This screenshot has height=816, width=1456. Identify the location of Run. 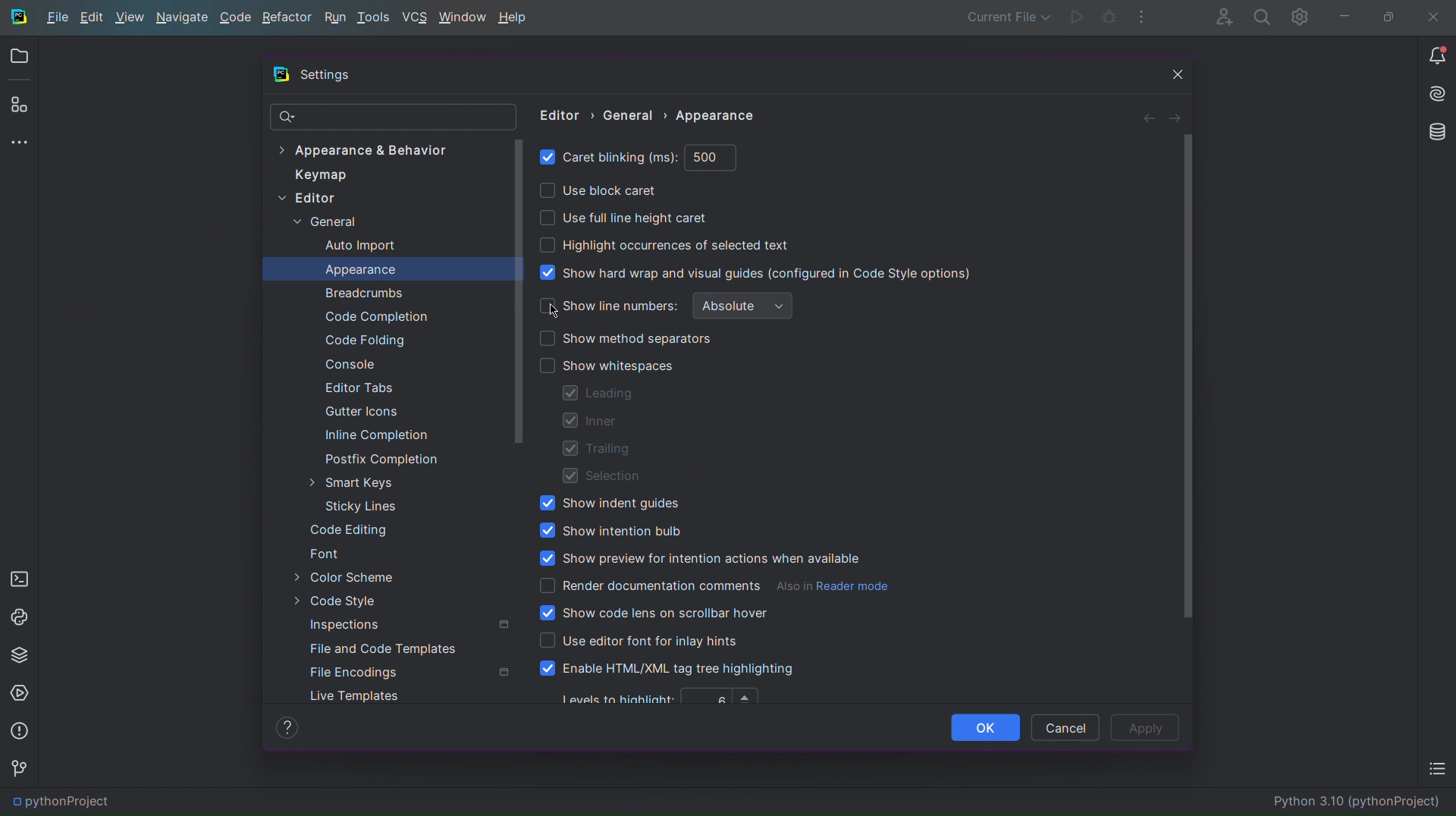
(335, 17).